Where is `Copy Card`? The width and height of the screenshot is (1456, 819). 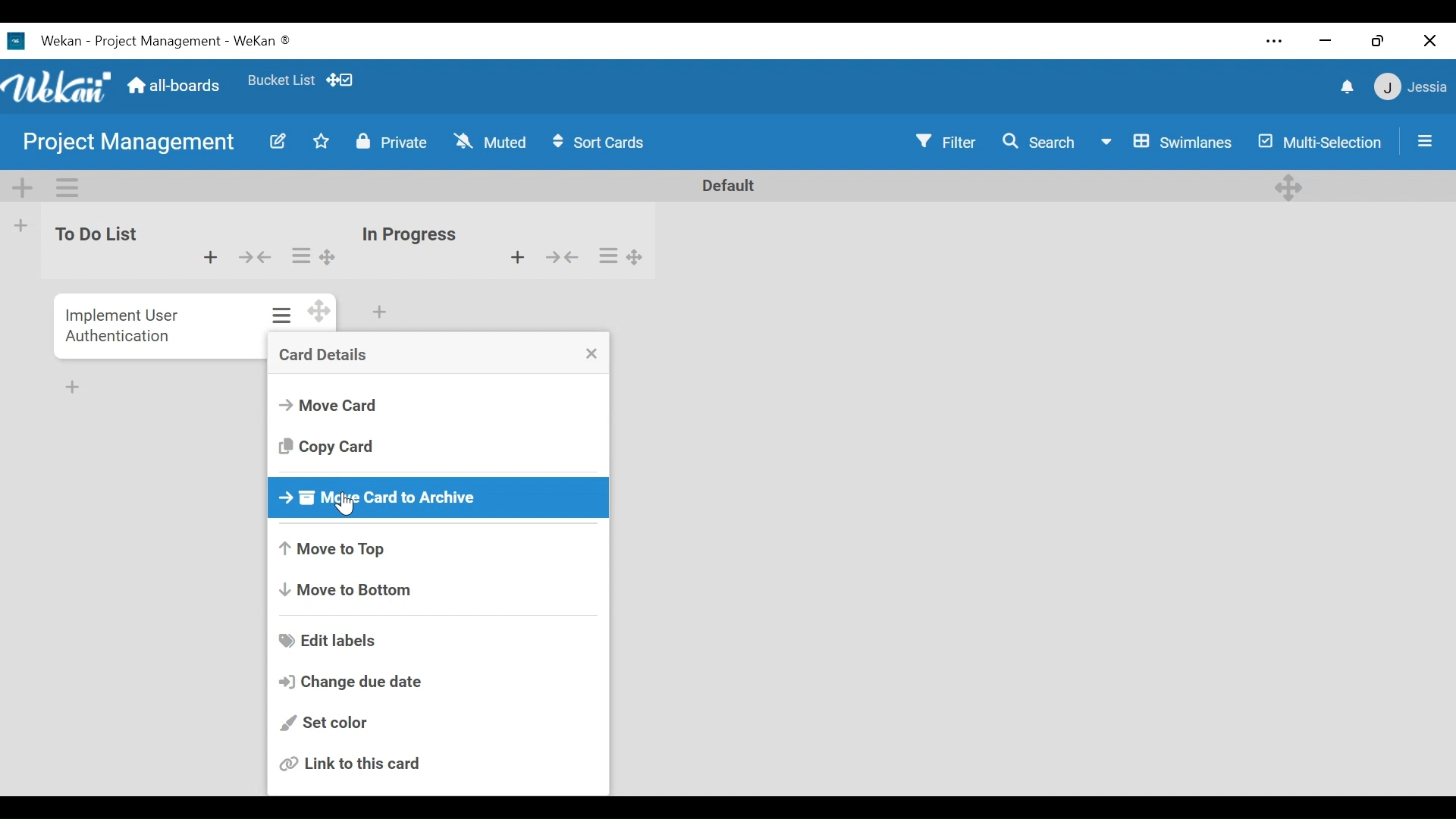
Copy Card is located at coordinates (327, 446).